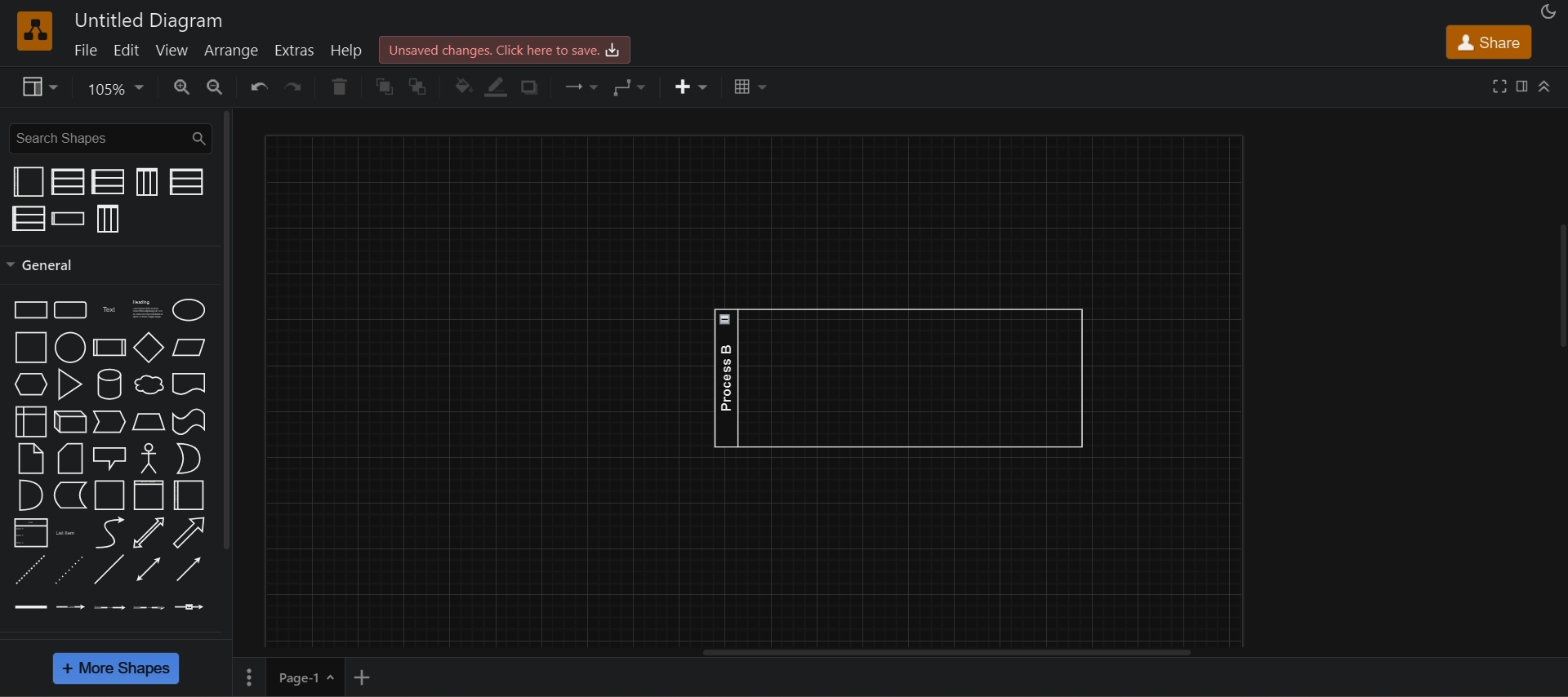 The width and height of the screenshot is (1568, 697). Describe the element at coordinates (228, 328) in the screenshot. I see `general` at that location.